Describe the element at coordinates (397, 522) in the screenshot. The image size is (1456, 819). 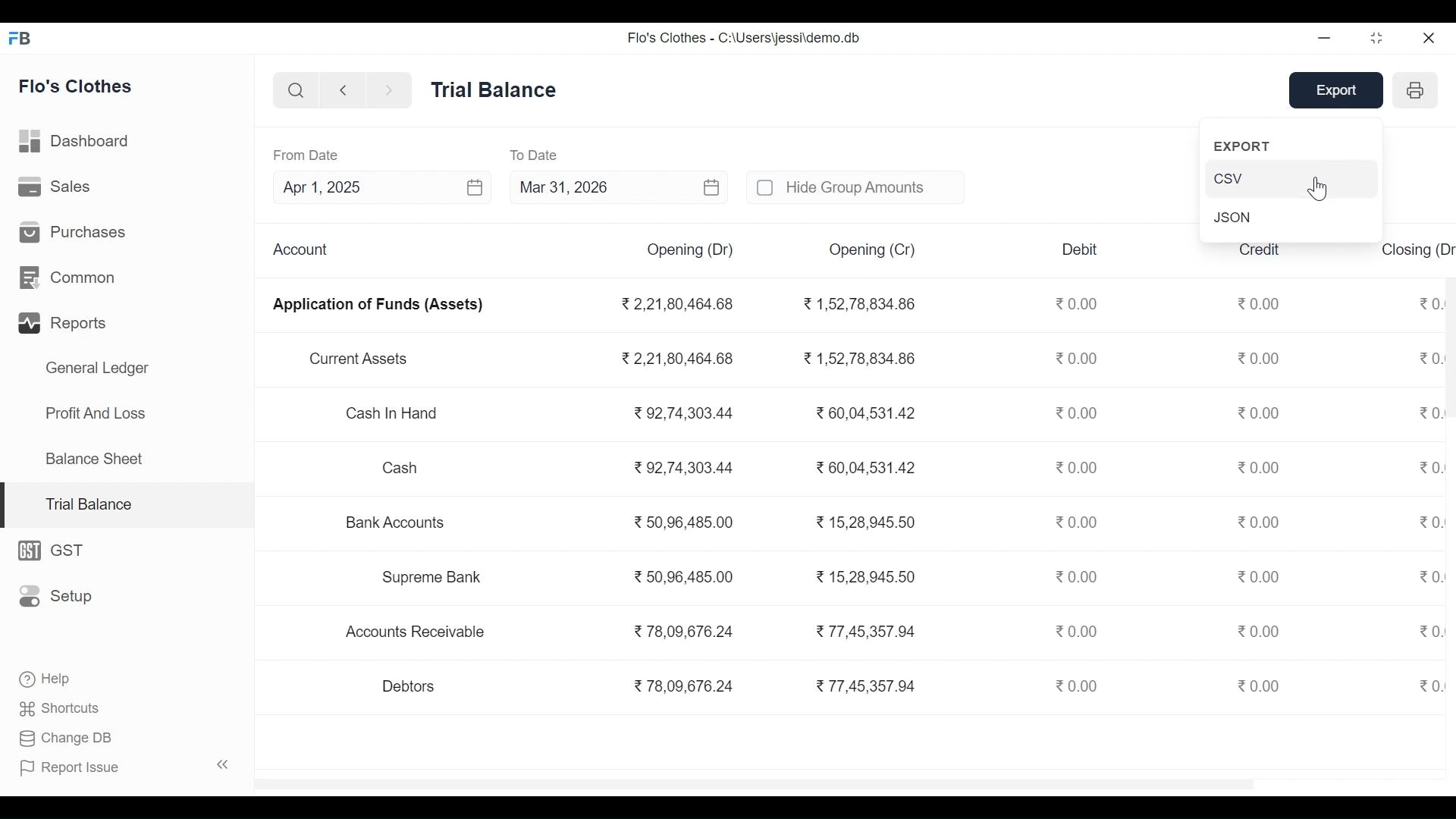
I see `Bank Accounts` at that location.